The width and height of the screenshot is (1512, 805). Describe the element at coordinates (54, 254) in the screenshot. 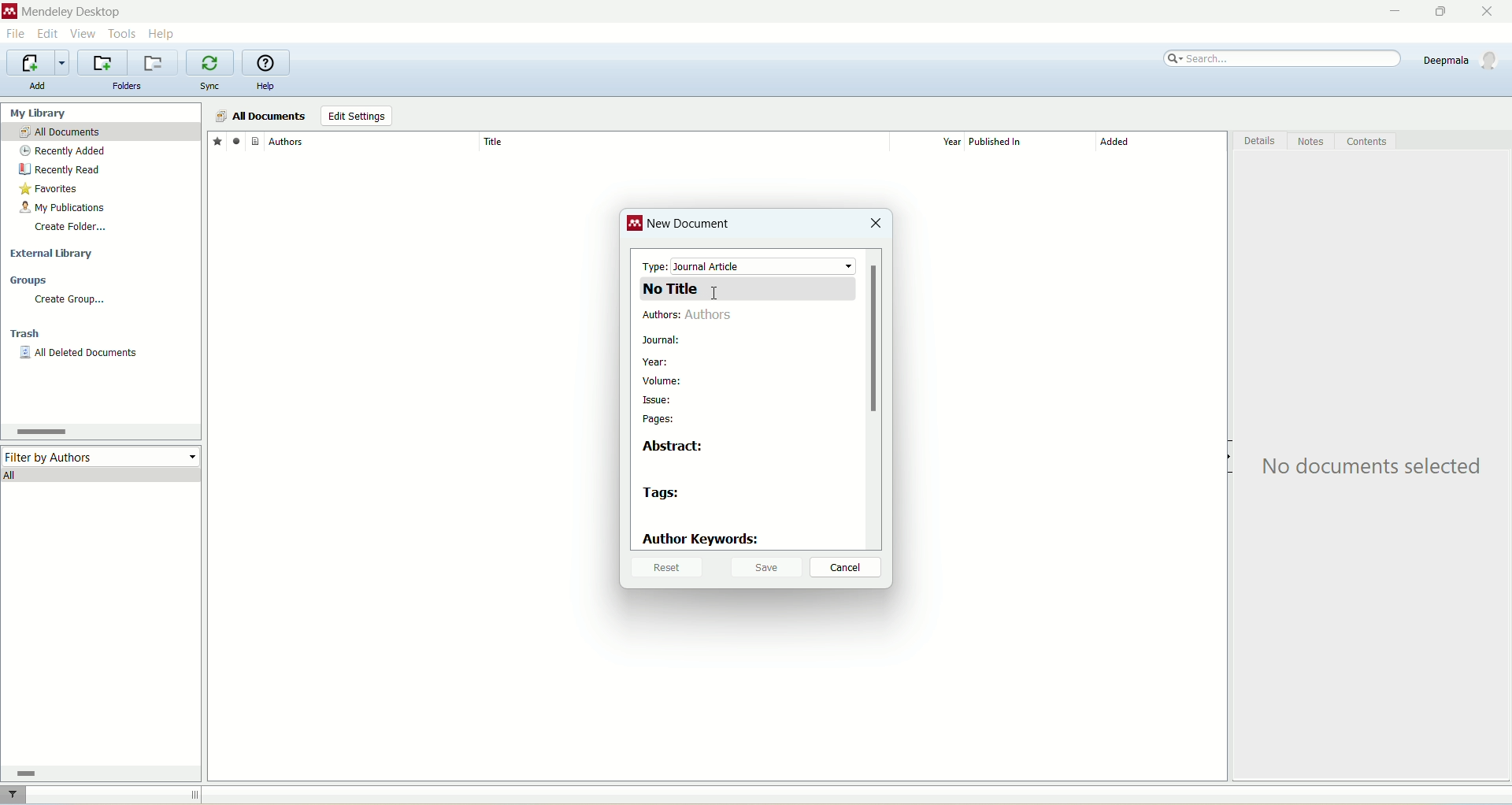

I see `external library` at that location.